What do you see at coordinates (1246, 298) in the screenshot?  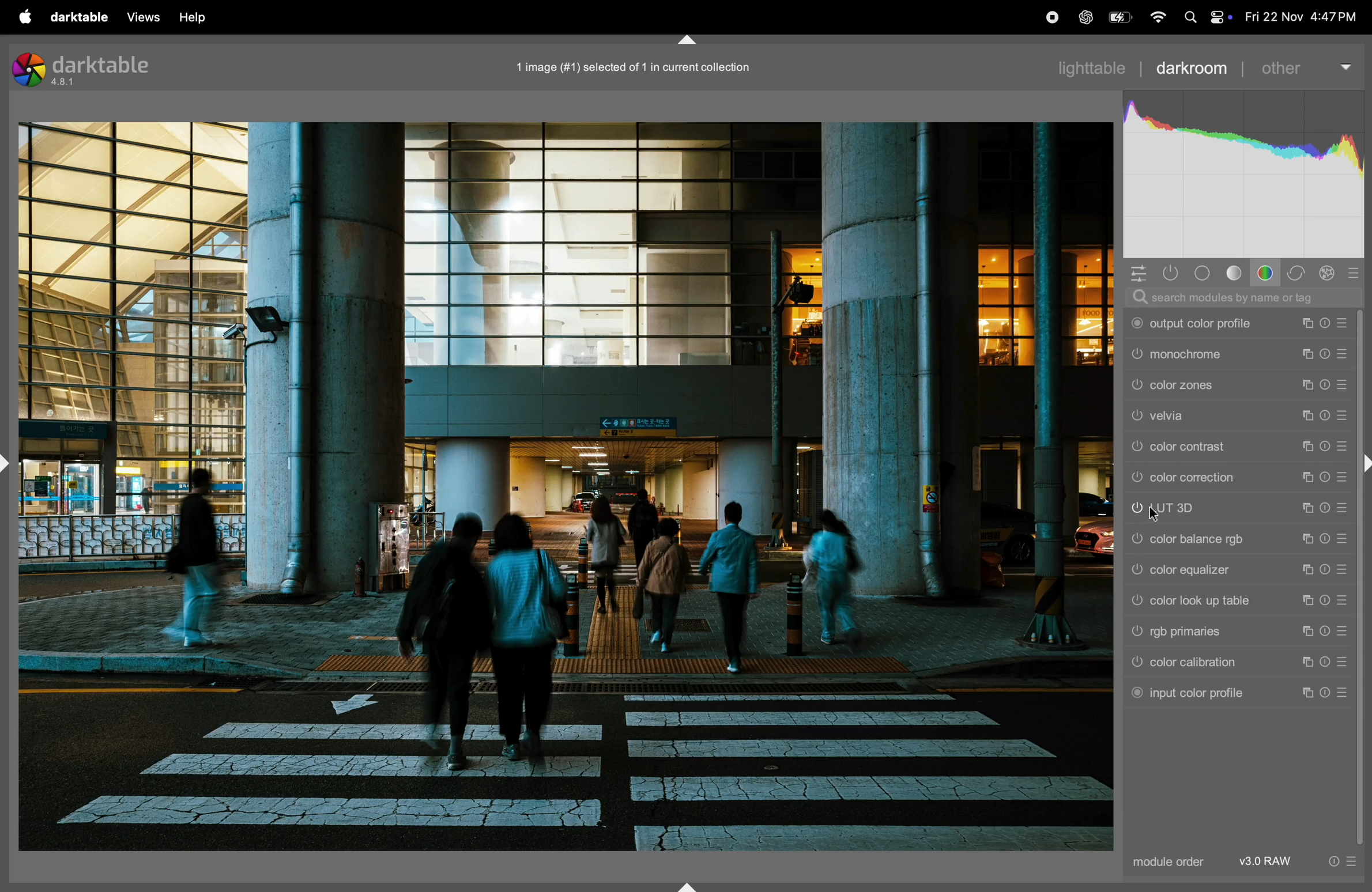 I see `search bar` at bounding box center [1246, 298].